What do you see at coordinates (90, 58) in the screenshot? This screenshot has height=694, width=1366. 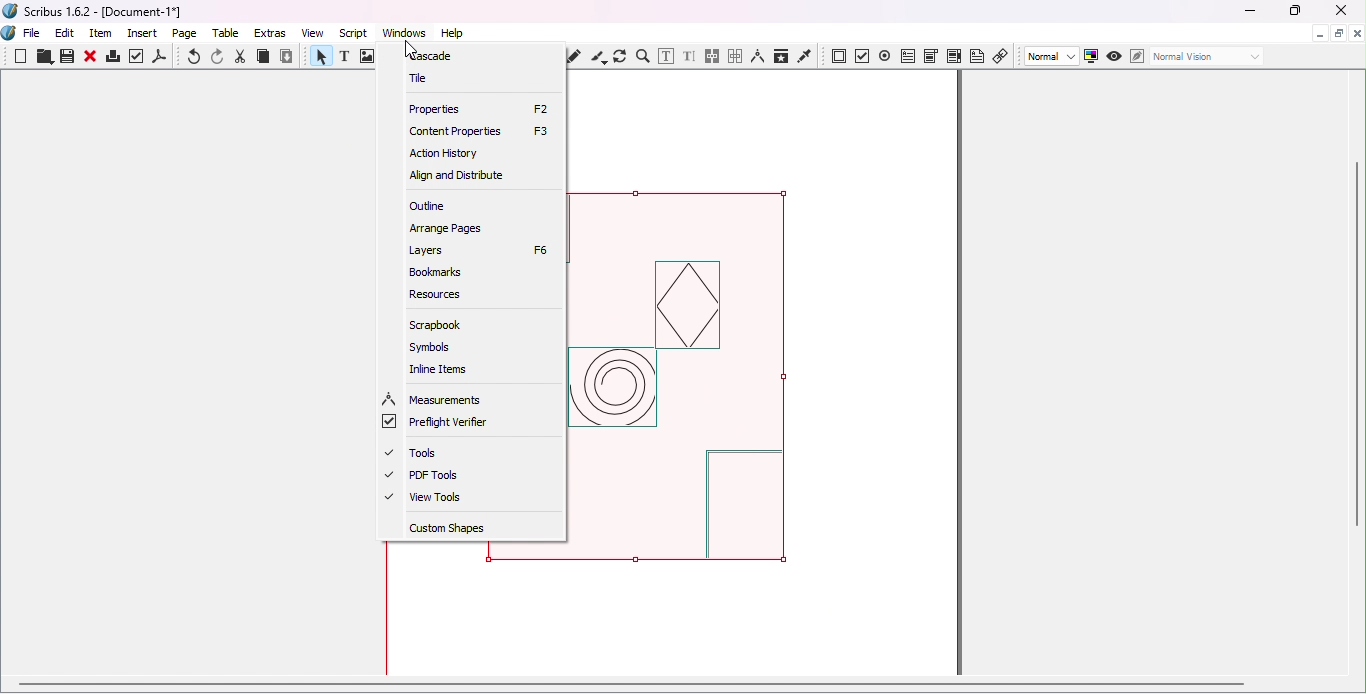 I see `Close` at bounding box center [90, 58].